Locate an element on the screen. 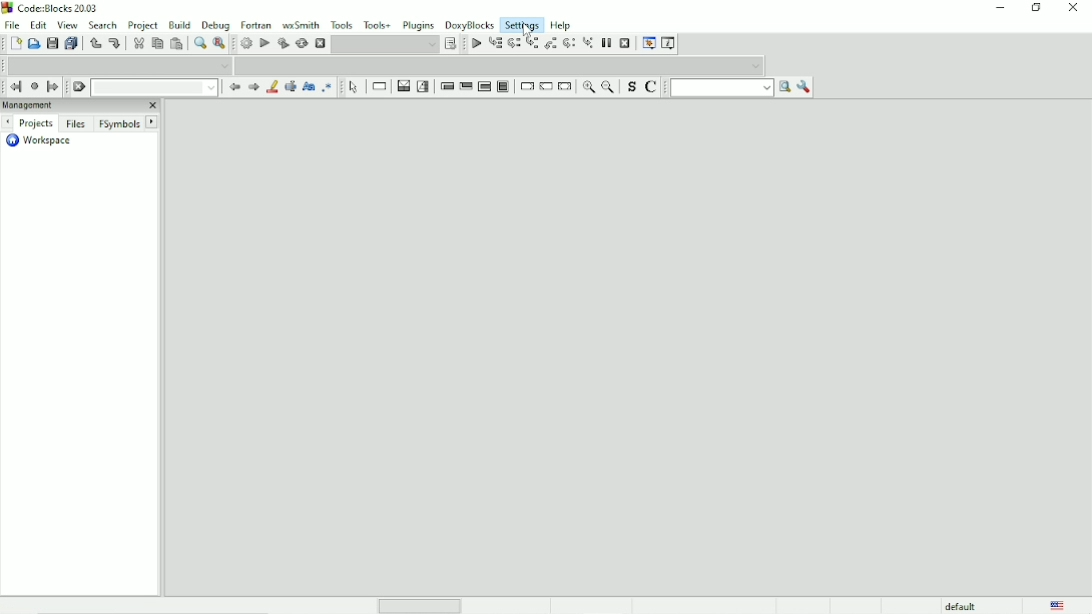 This screenshot has height=614, width=1092. Close is located at coordinates (152, 105).